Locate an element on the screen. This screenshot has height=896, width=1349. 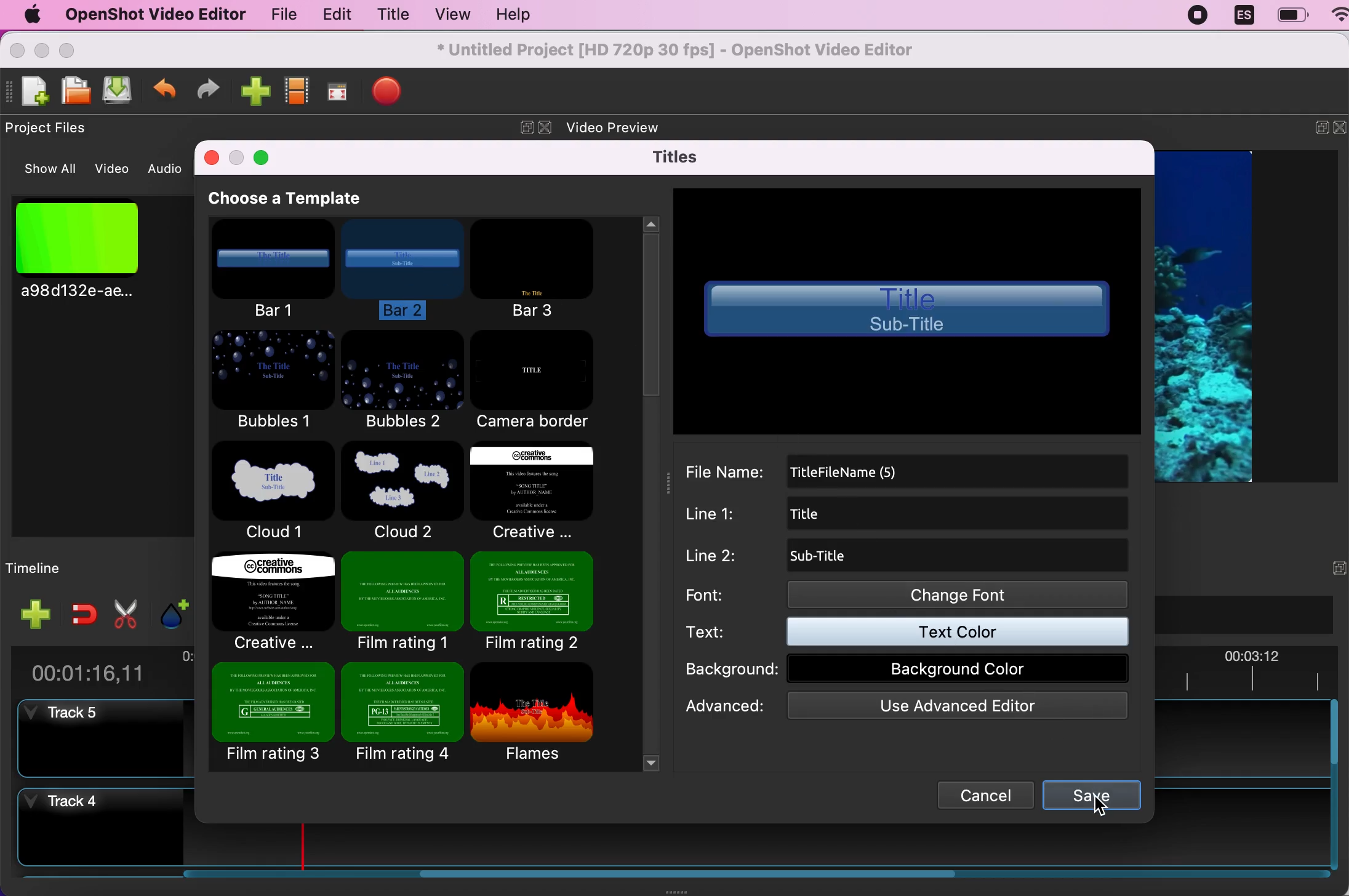
video preview is located at coordinates (623, 129).